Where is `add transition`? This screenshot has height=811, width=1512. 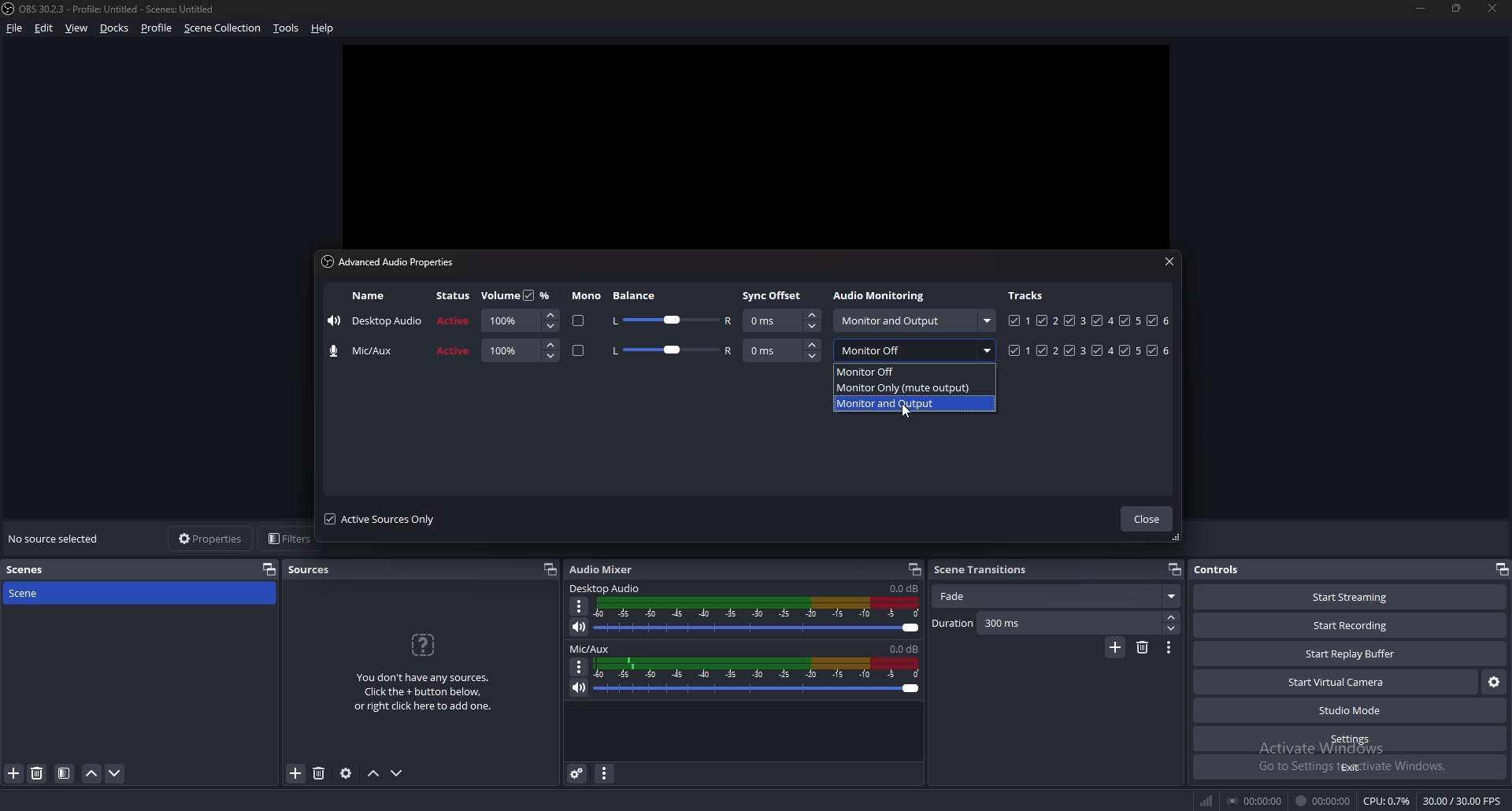
add transition is located at coordinates (1116, 647).